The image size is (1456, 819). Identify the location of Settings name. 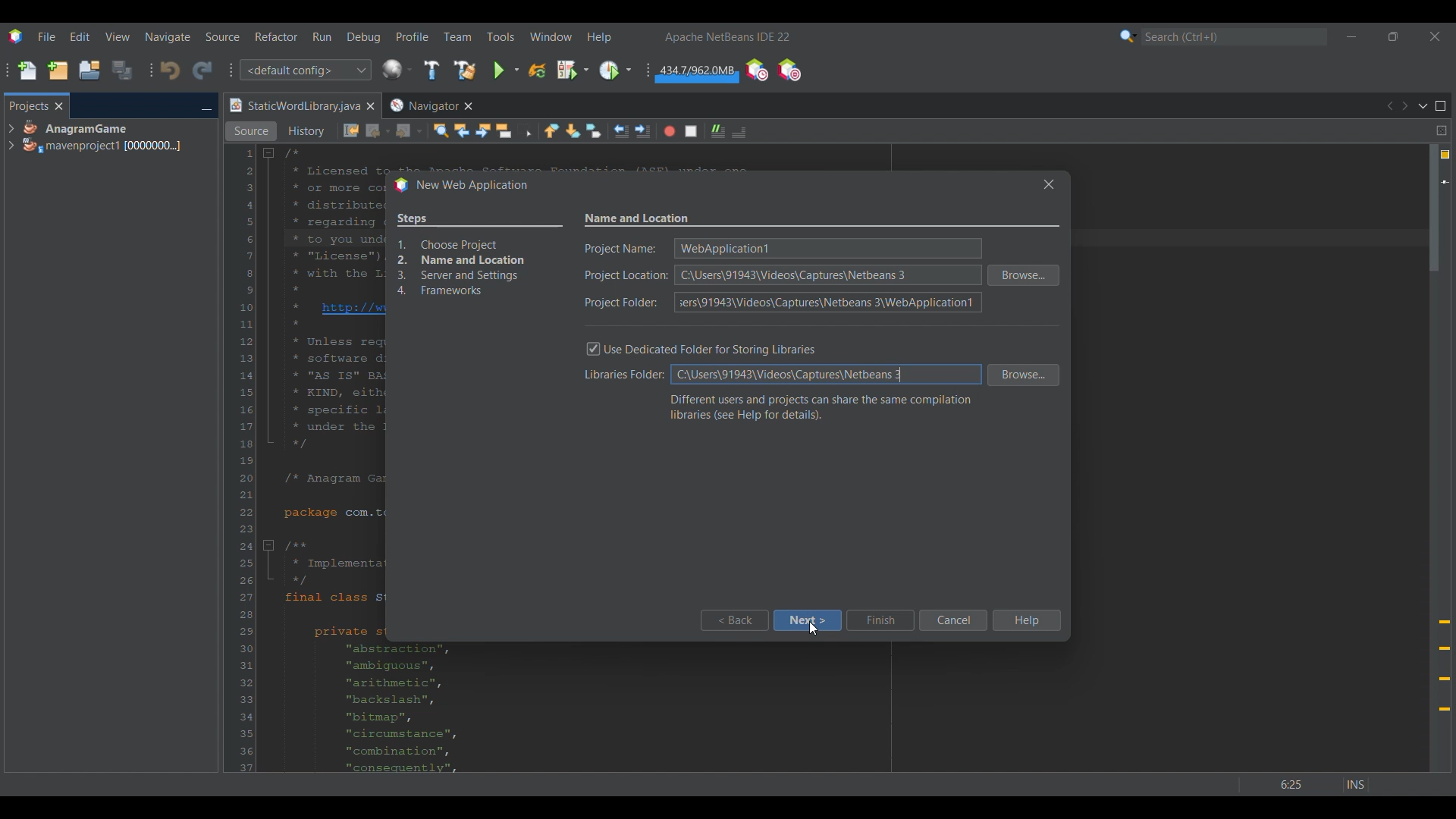
(638, 219).